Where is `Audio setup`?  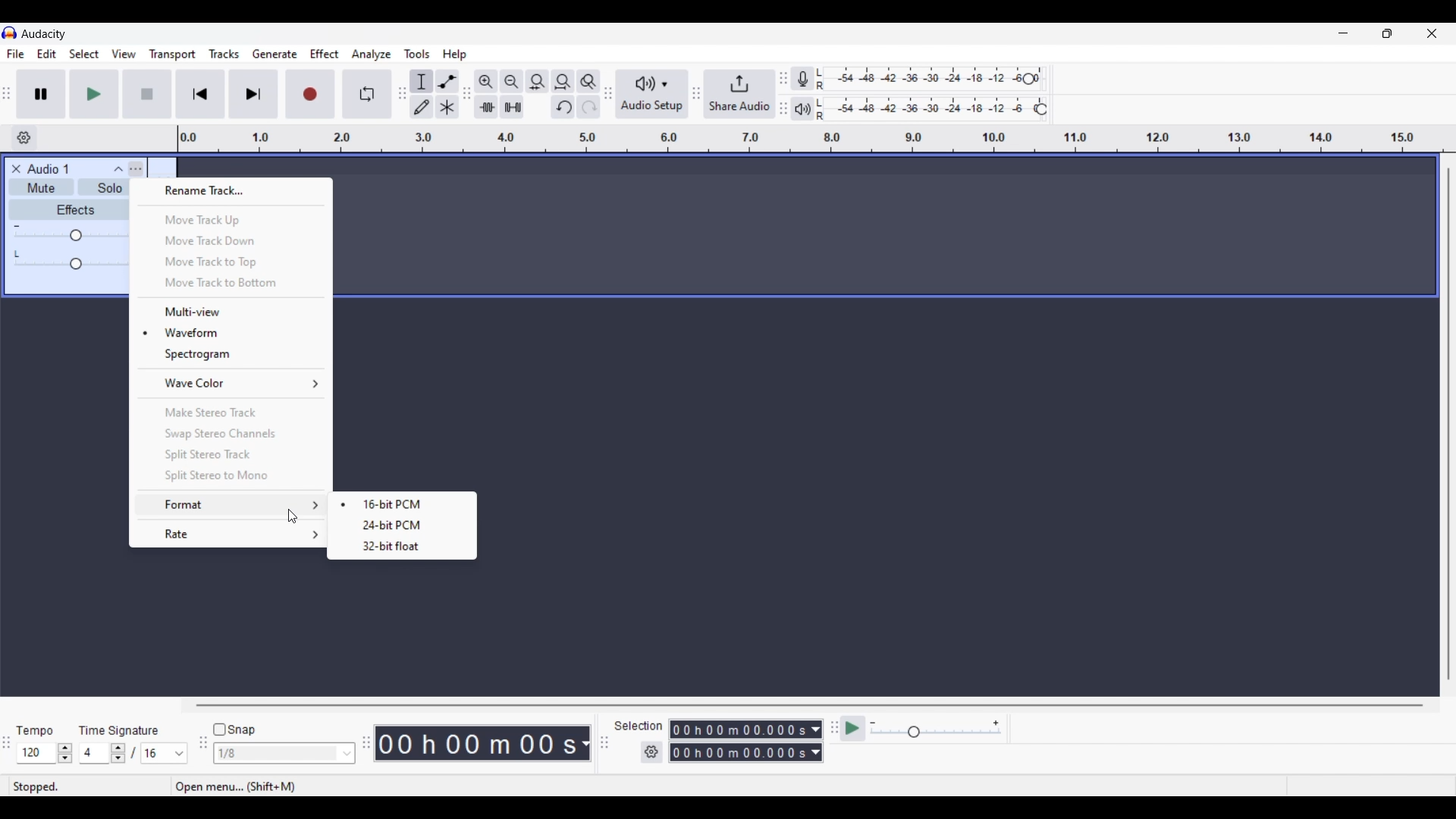 Audio setup is located at coordinates (652, 94).